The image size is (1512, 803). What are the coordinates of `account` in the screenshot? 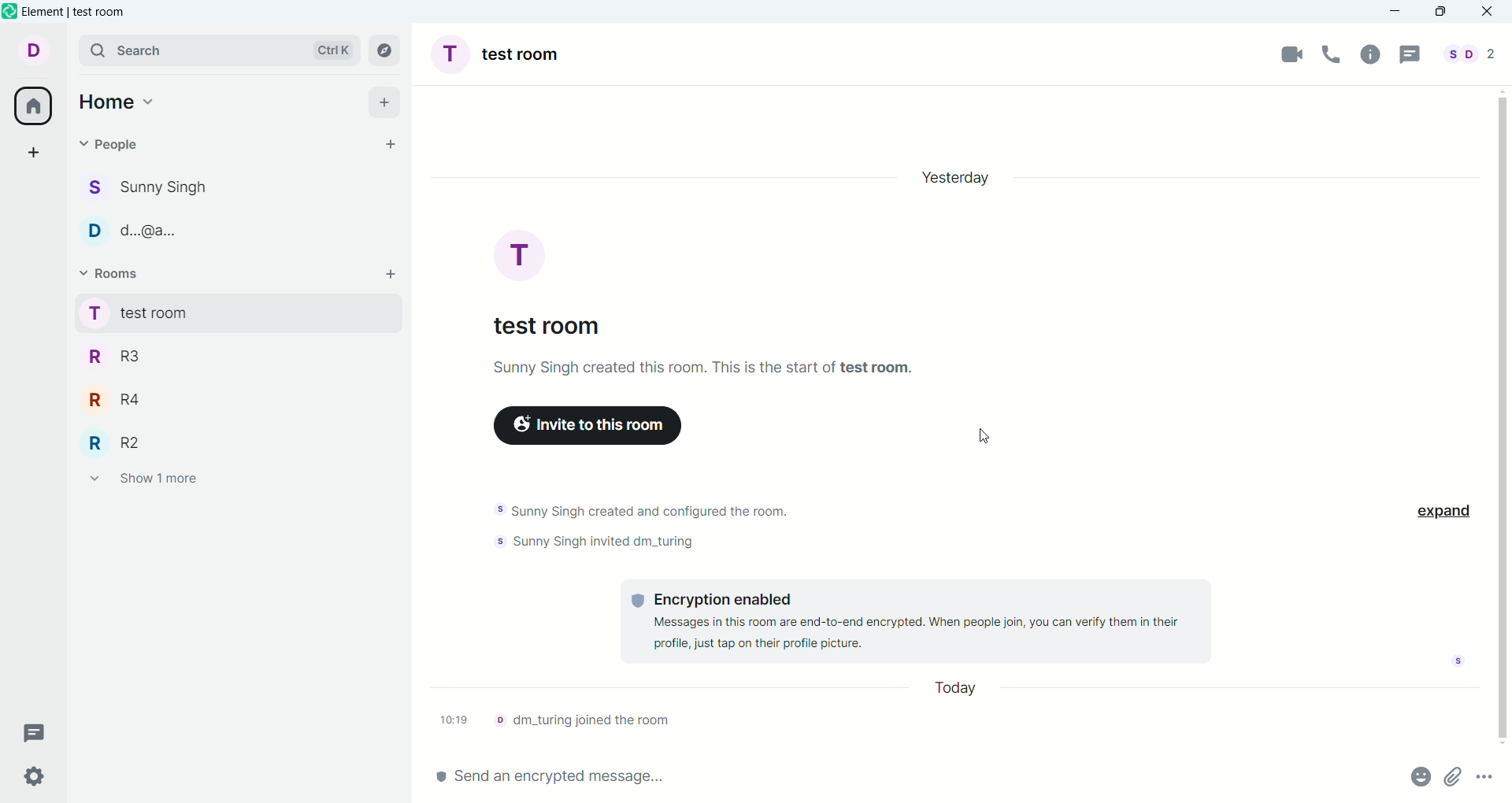 It's located at (34, 50).